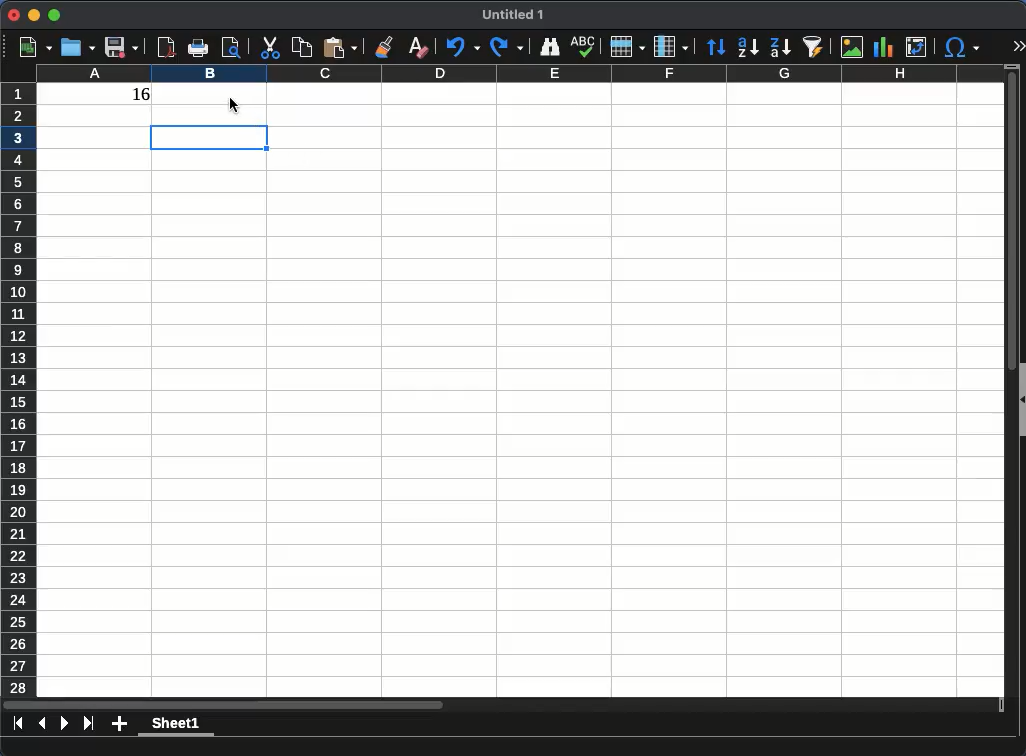 The image size is (1026, 756). I want to click on close, so click(14, 15).